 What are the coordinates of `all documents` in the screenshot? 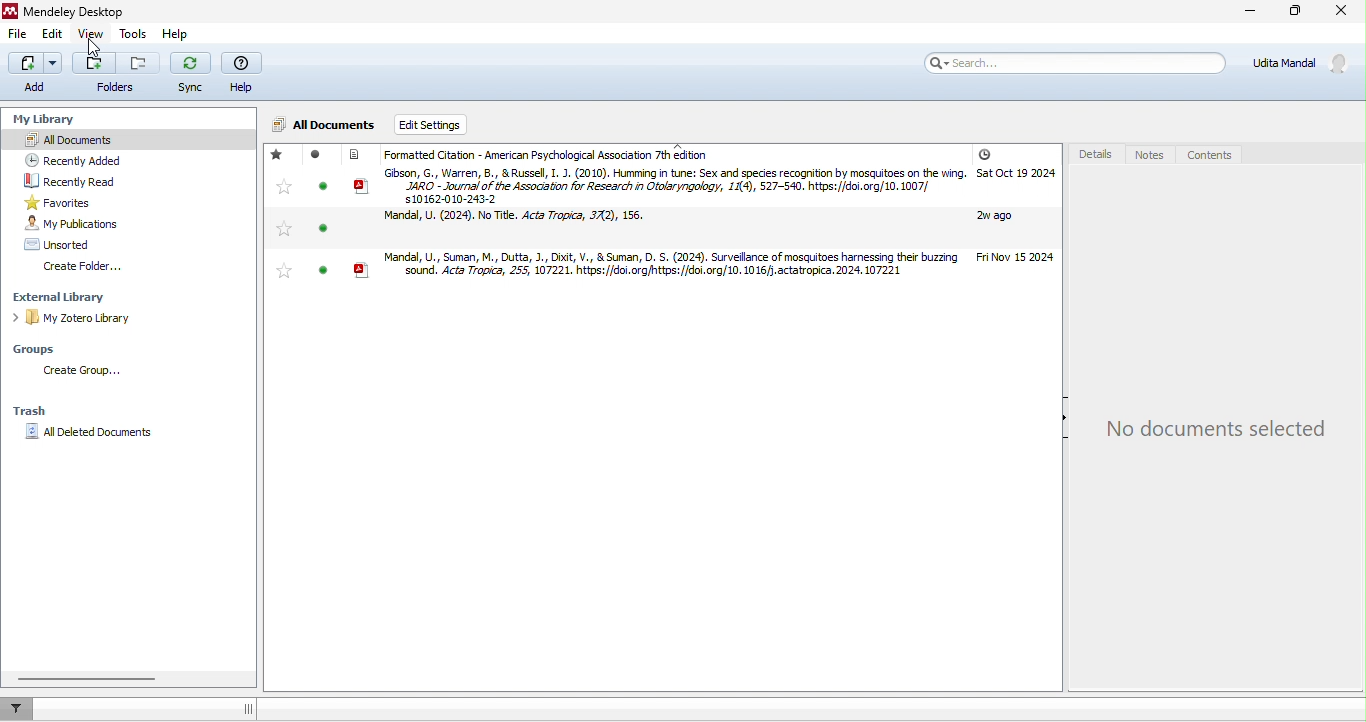 It's located at (100, 138).